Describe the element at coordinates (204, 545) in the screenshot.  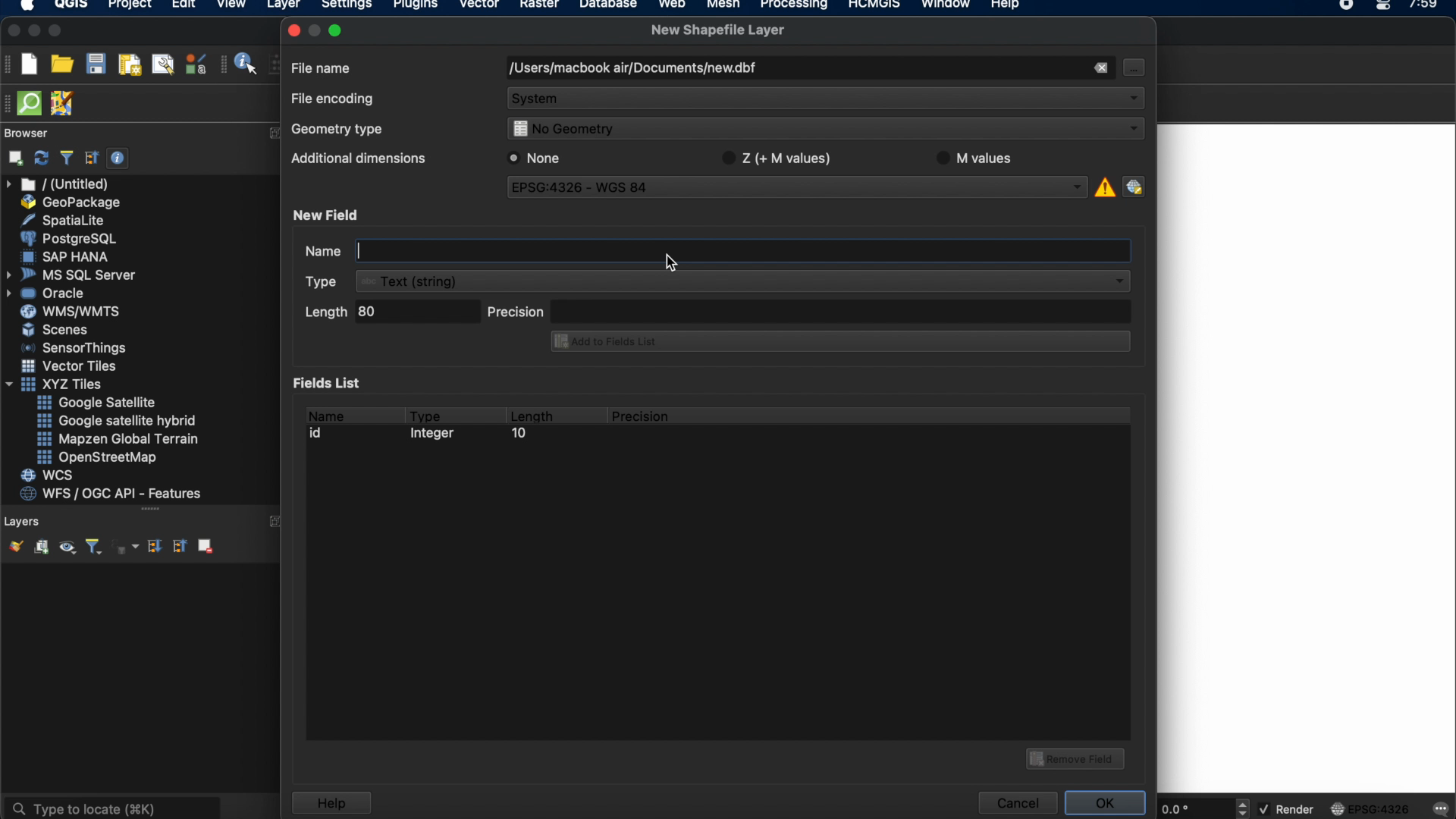
I see `remove layer group` at that location.